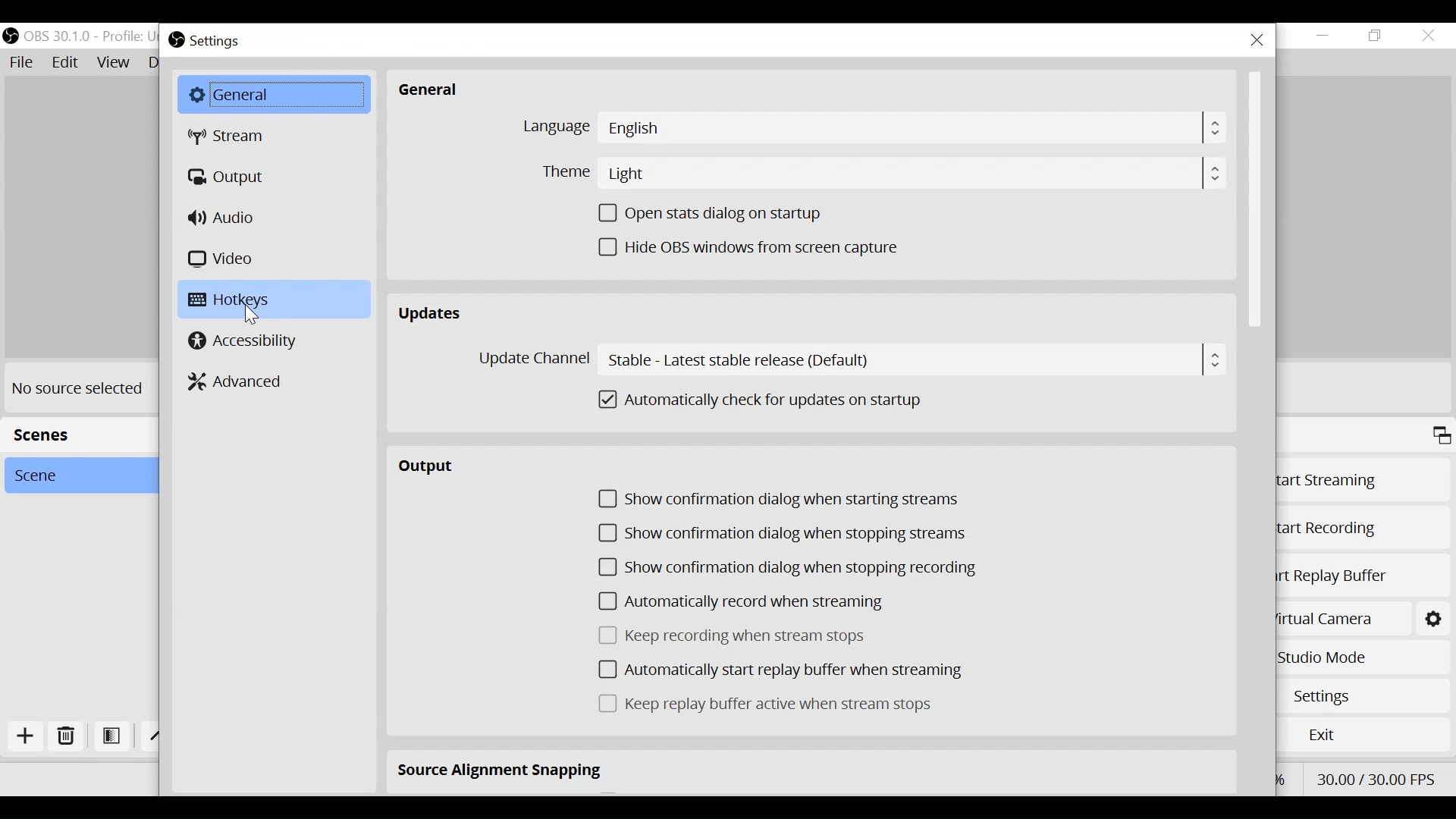  I want to click on Select Language, so click(873, 127).